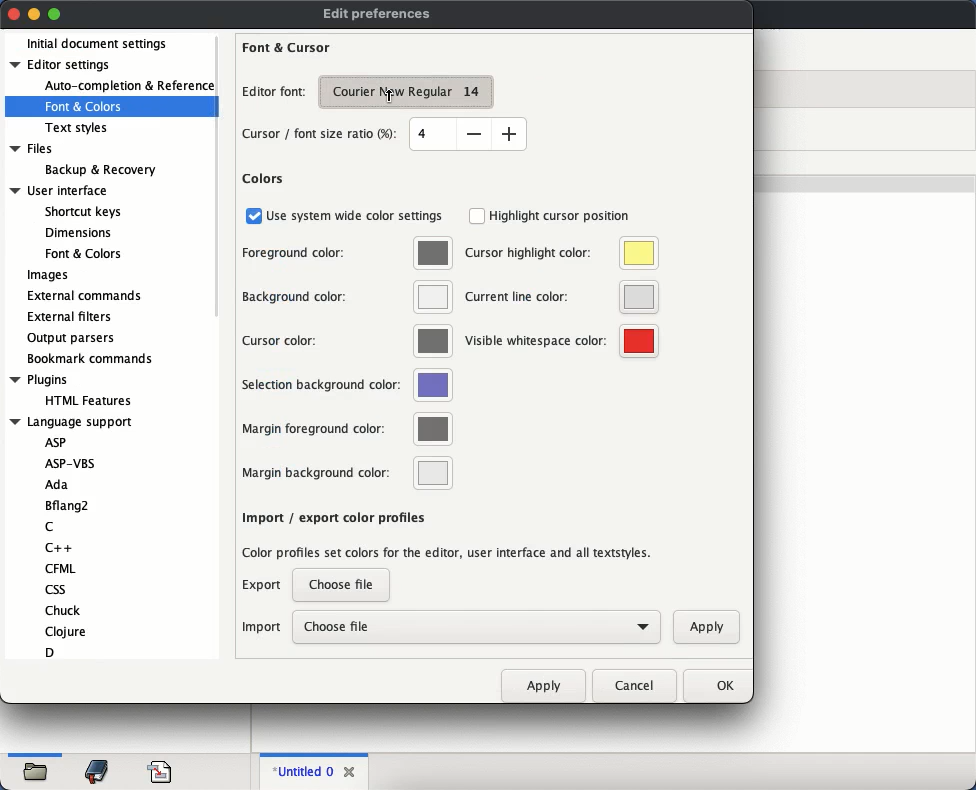 This screenshot has height=790, width=976. I want to click on edit preferences, so click(377, 15).